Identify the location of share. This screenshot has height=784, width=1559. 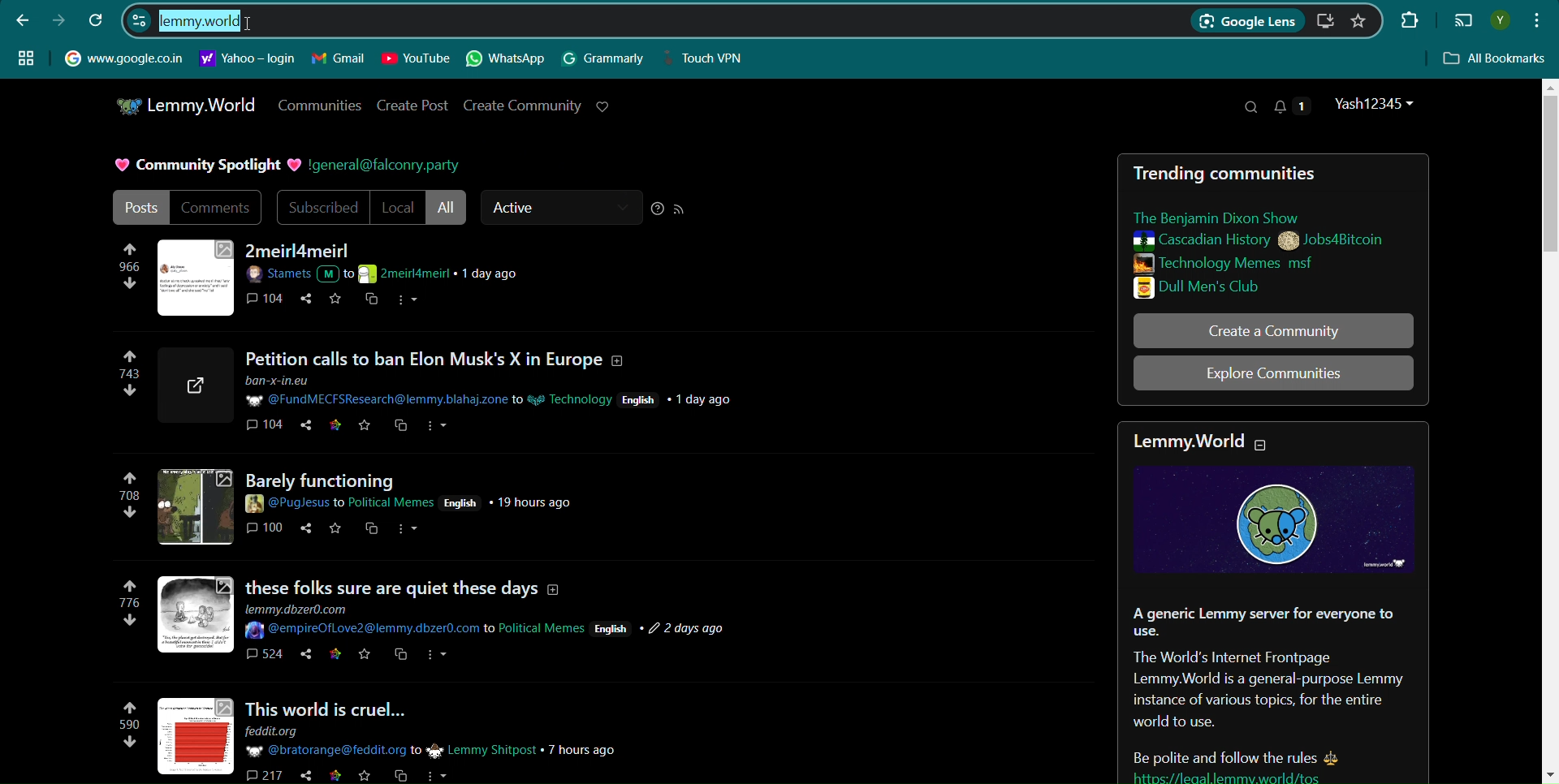
(309, 428).